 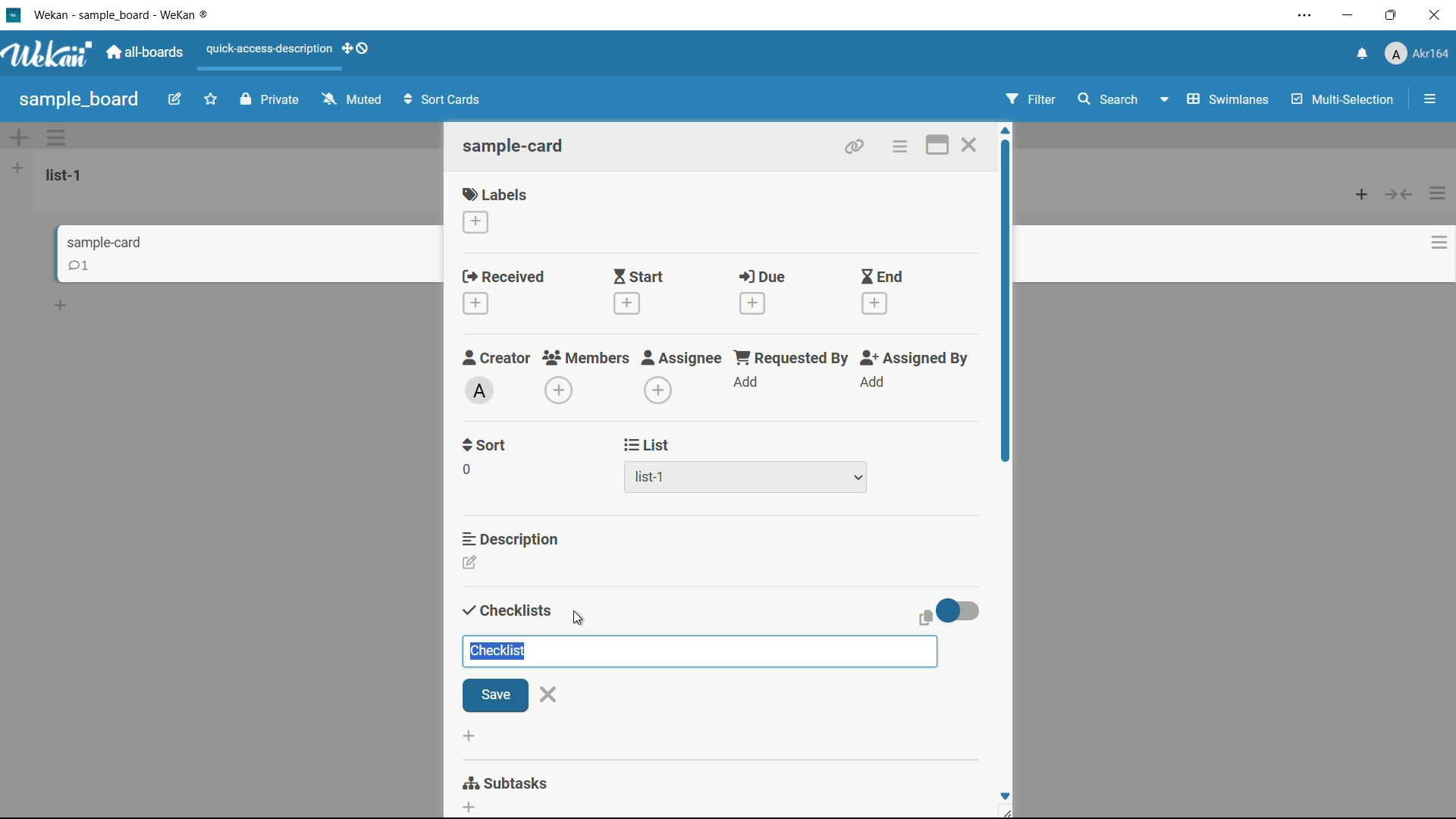 What do you see at coordinates (470, 563) in the screenshot?
I see `edit description` at bounding box center [470, 563].